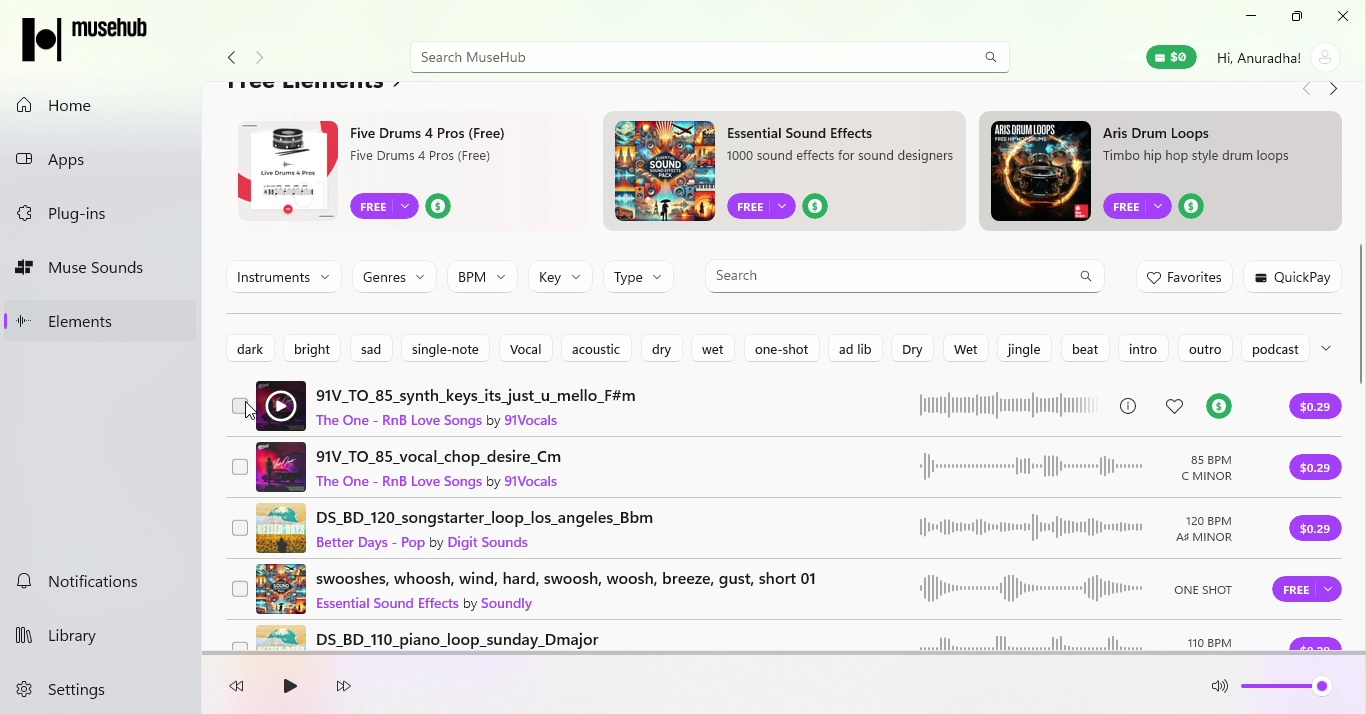  What do you see at coordinates (1335, 91) in the screenshot?
I see `Navigate forward` at bounding box center [1335, 91].